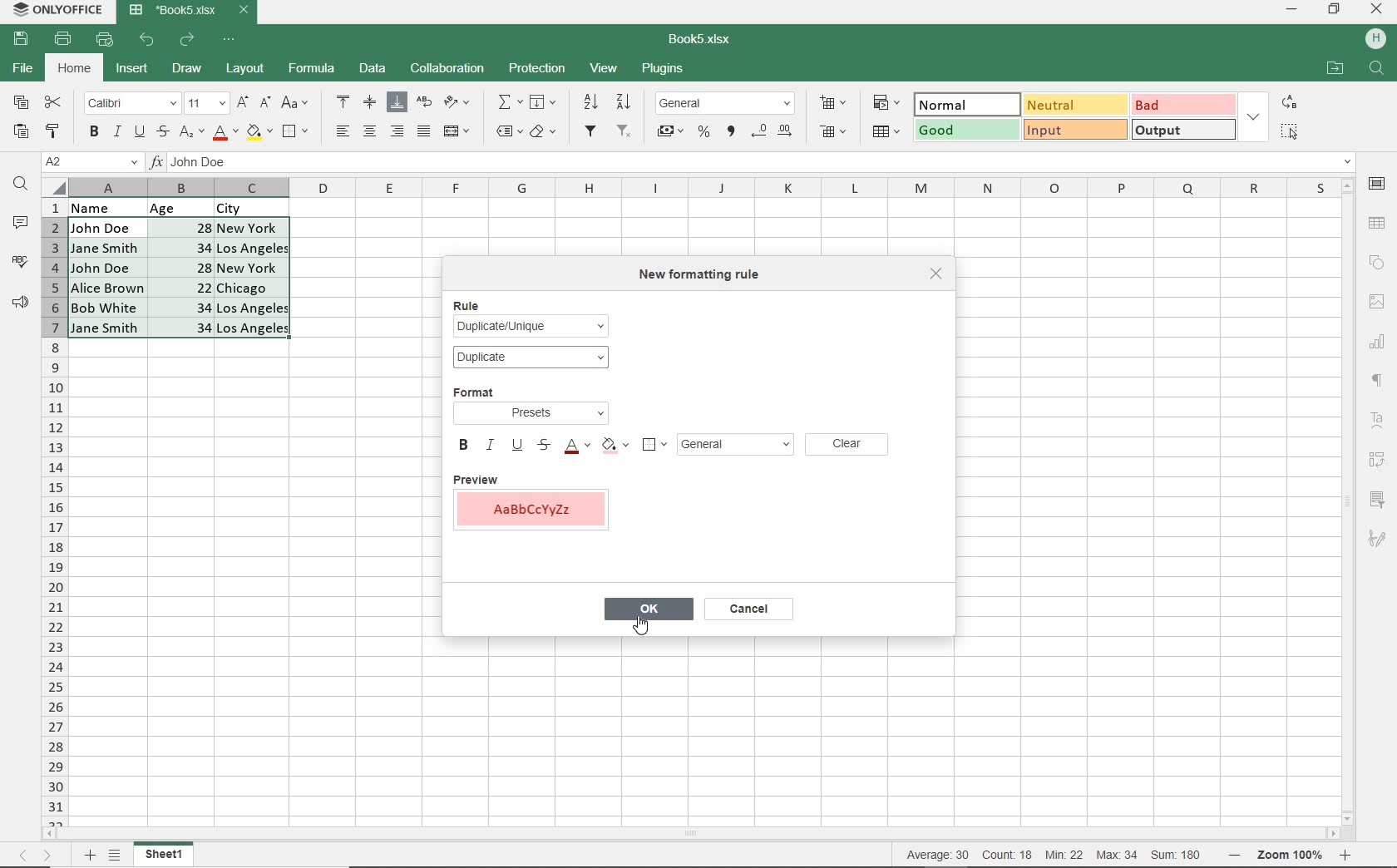 This screenshot has width=1397, height=868. I want to click on CHANGE DECIMAL PLACE, so click(771, 132).